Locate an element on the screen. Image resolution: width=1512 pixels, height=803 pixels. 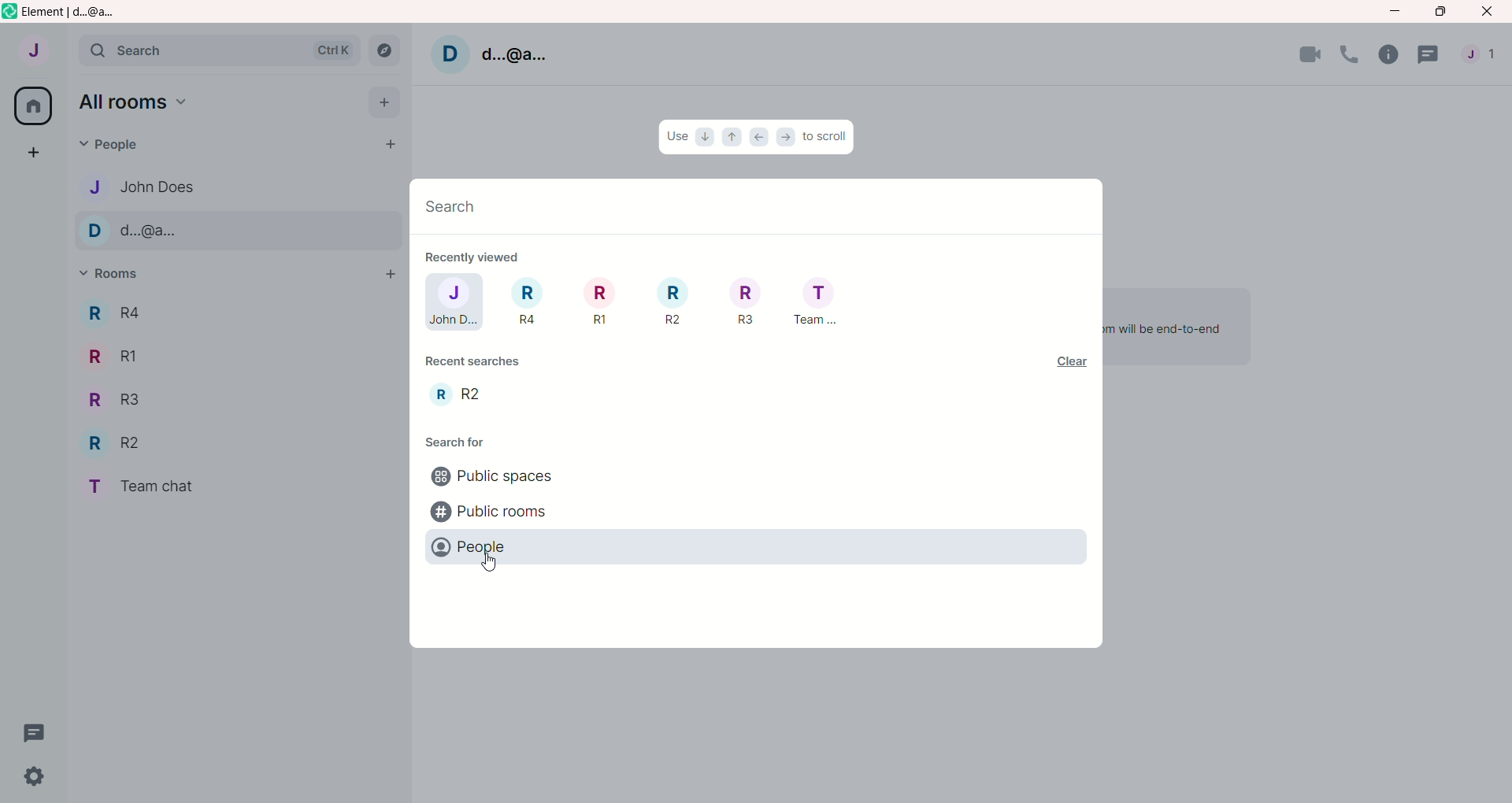
team chat is located at coordinates (152, 488).